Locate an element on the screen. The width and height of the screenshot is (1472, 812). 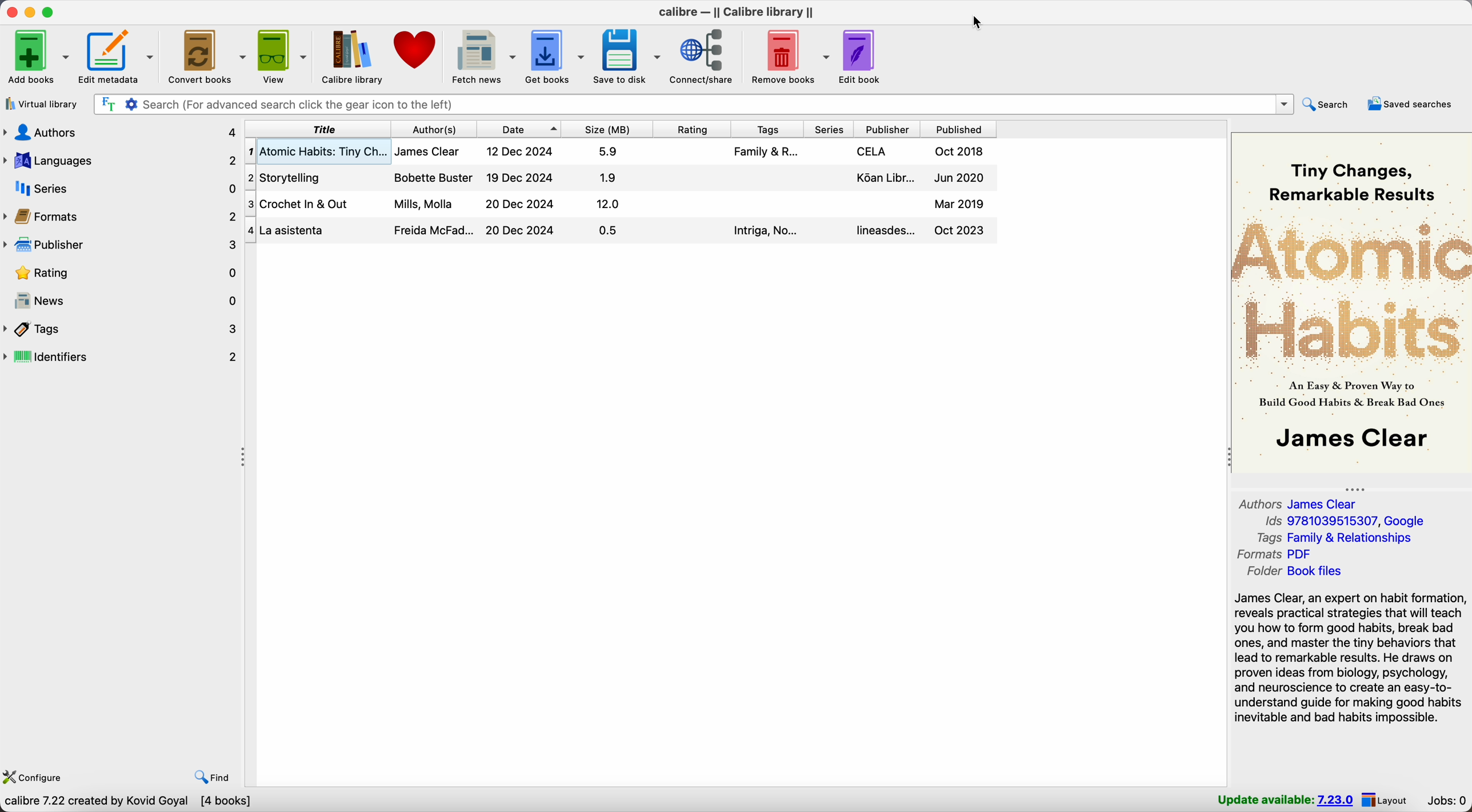
title is located at coordinates (317, 129).